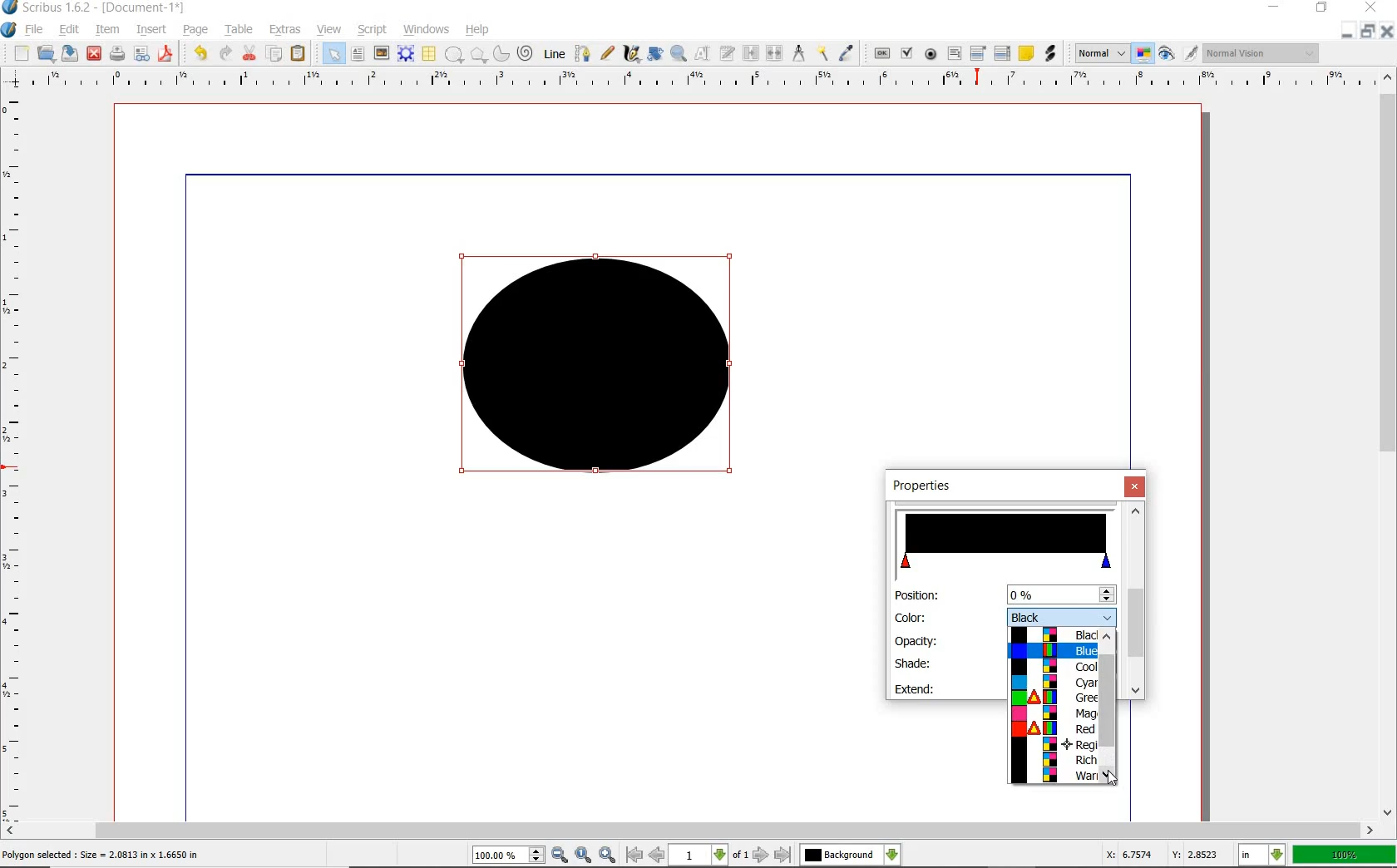 Image resolution: width=1397 pixels, height=868 pixels. What do you see at coordinates (555, 54) in the screenshot?
I see `LINE` at bounding box center [555, 54].